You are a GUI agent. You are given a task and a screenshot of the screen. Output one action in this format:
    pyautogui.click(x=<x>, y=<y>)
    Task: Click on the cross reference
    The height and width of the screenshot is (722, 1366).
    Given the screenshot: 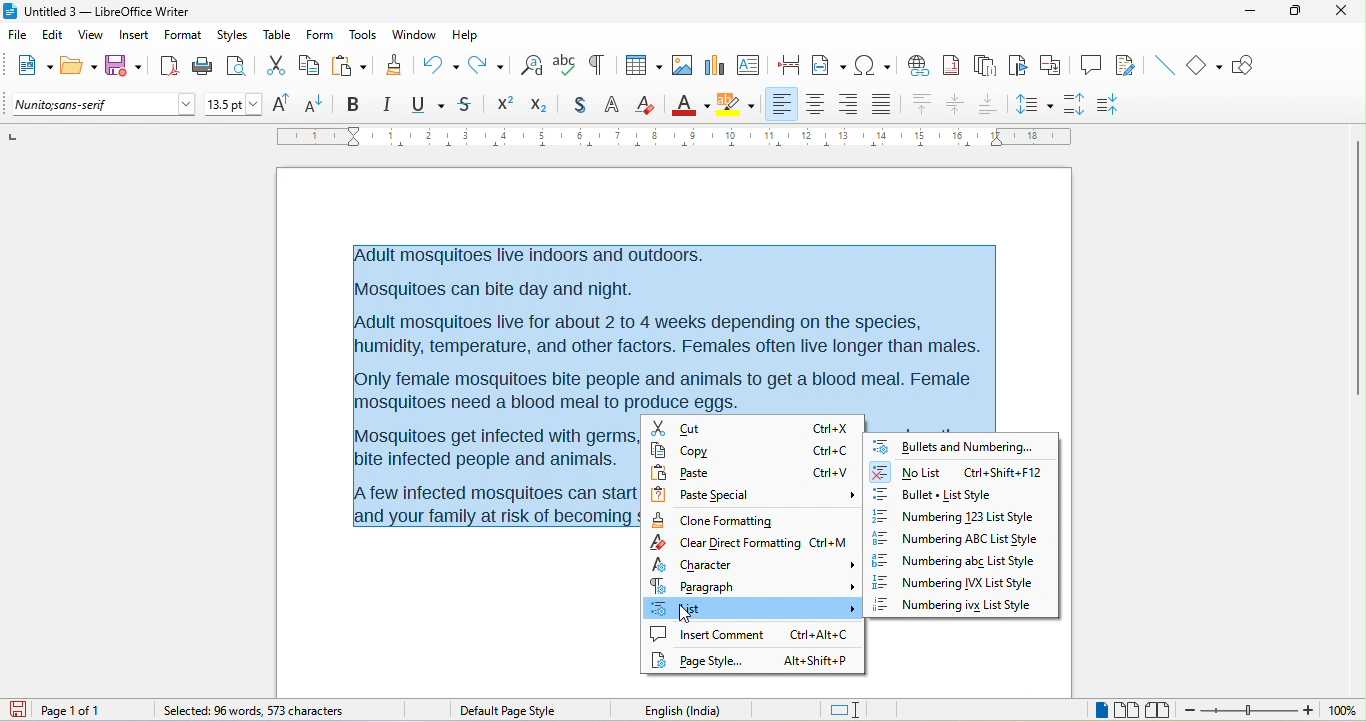 What is the action you would take?
    pyautogui.click(x=1055, y=65)
    